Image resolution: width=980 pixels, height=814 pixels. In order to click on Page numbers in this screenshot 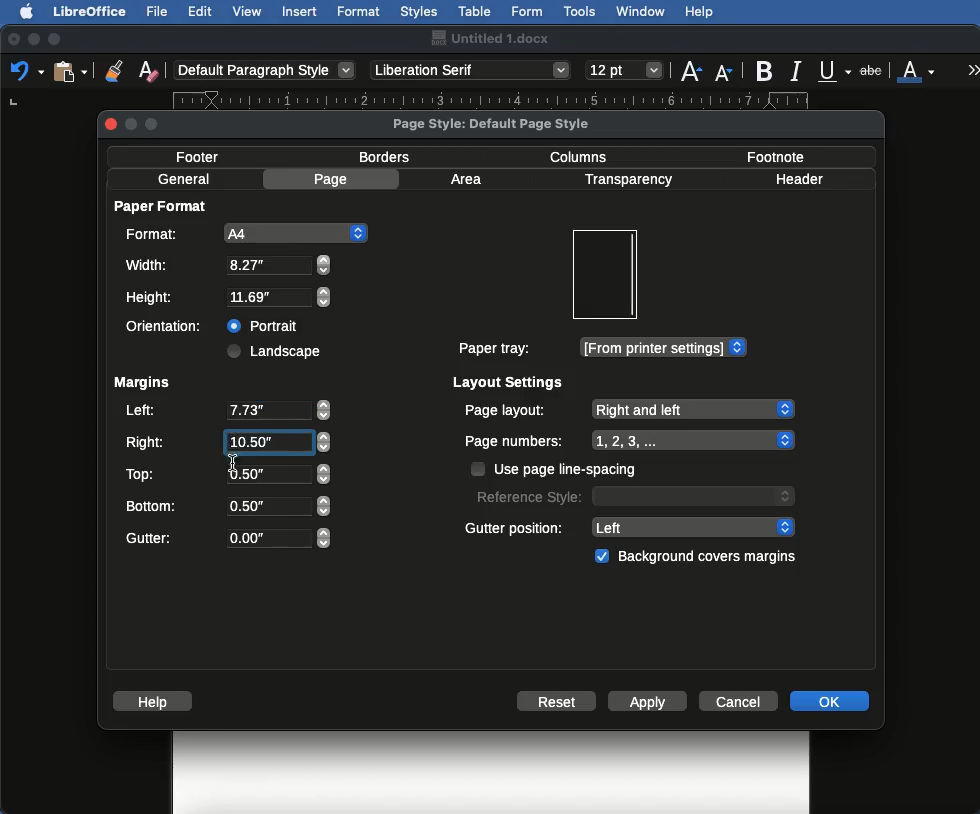, I will do `click(630, 441)`.